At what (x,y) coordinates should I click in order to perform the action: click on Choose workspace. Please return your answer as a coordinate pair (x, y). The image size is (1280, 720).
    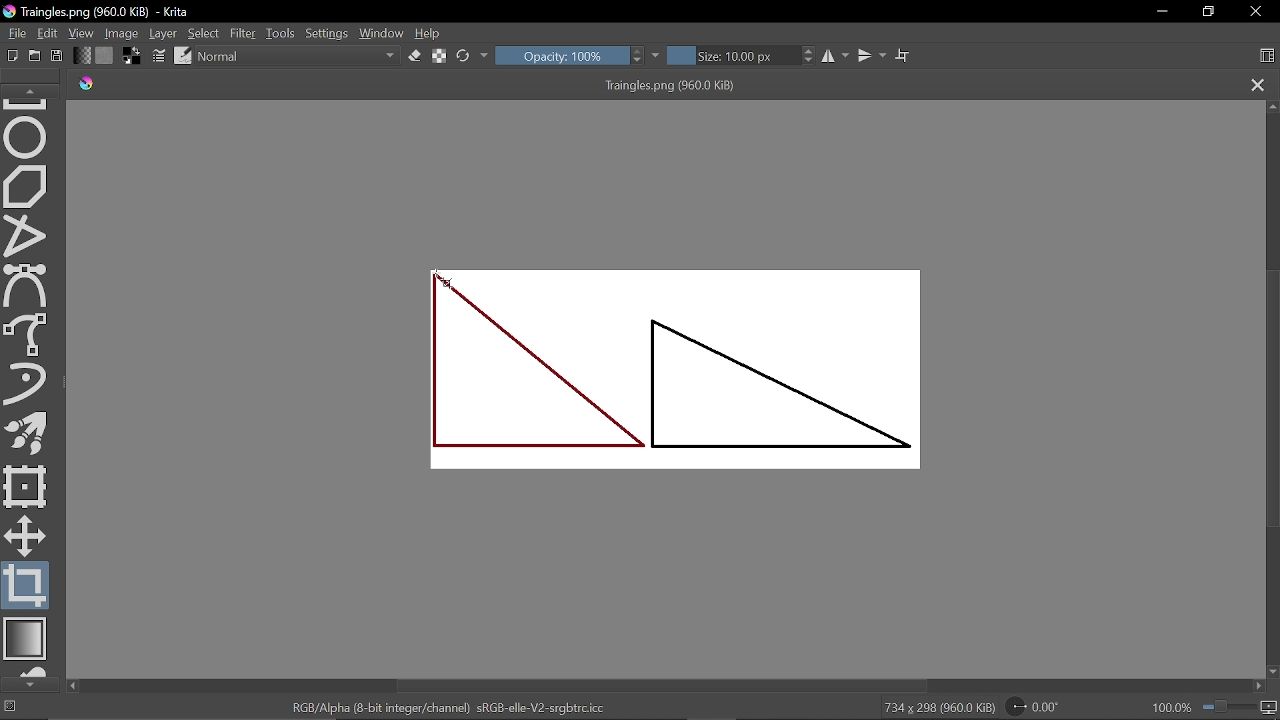
    Looking at the image, I should click on (1267, 57).